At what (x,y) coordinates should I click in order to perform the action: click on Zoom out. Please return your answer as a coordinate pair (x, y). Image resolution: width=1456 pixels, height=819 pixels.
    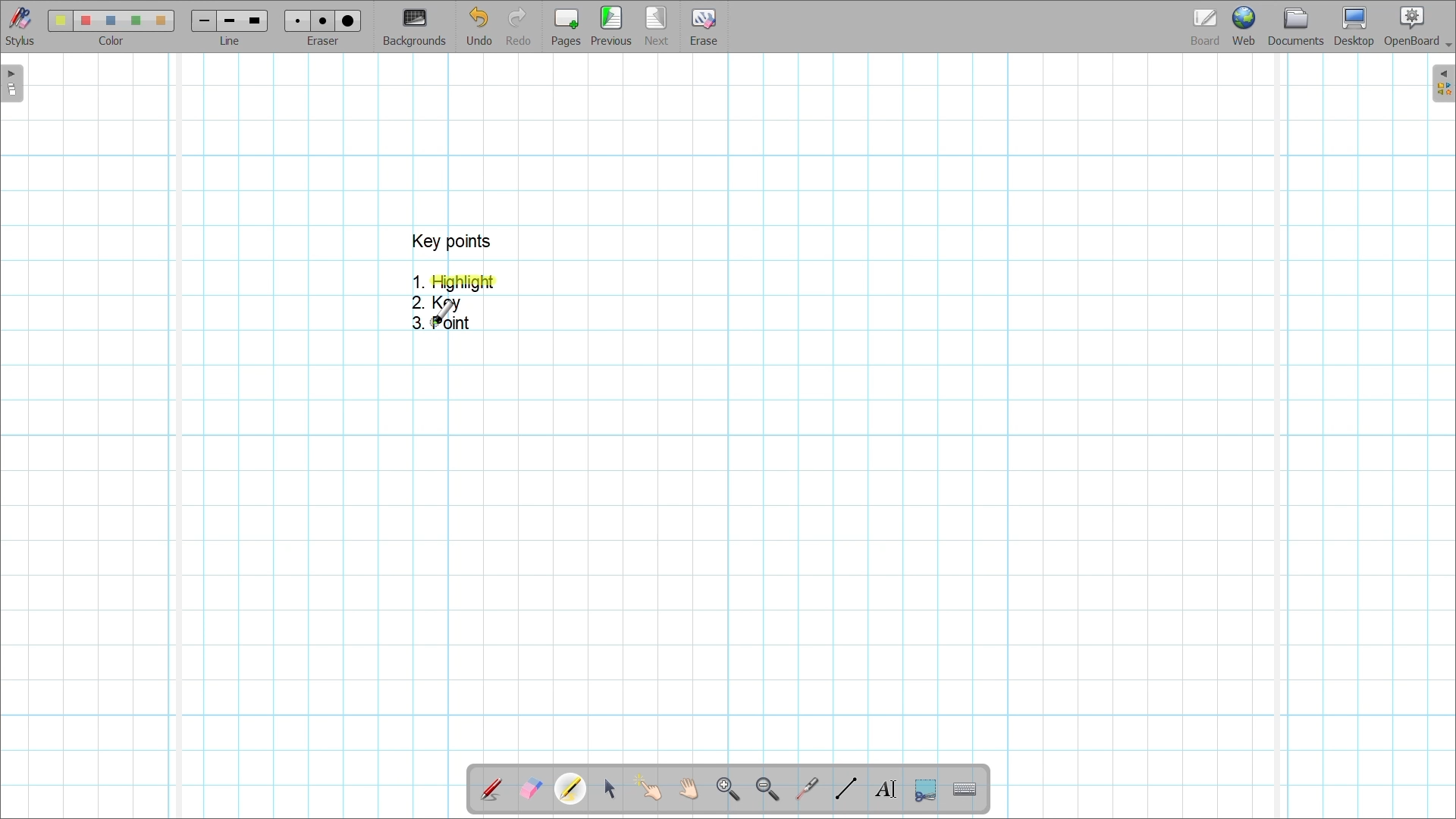
    Looking at the image, I should click on (768, 790).